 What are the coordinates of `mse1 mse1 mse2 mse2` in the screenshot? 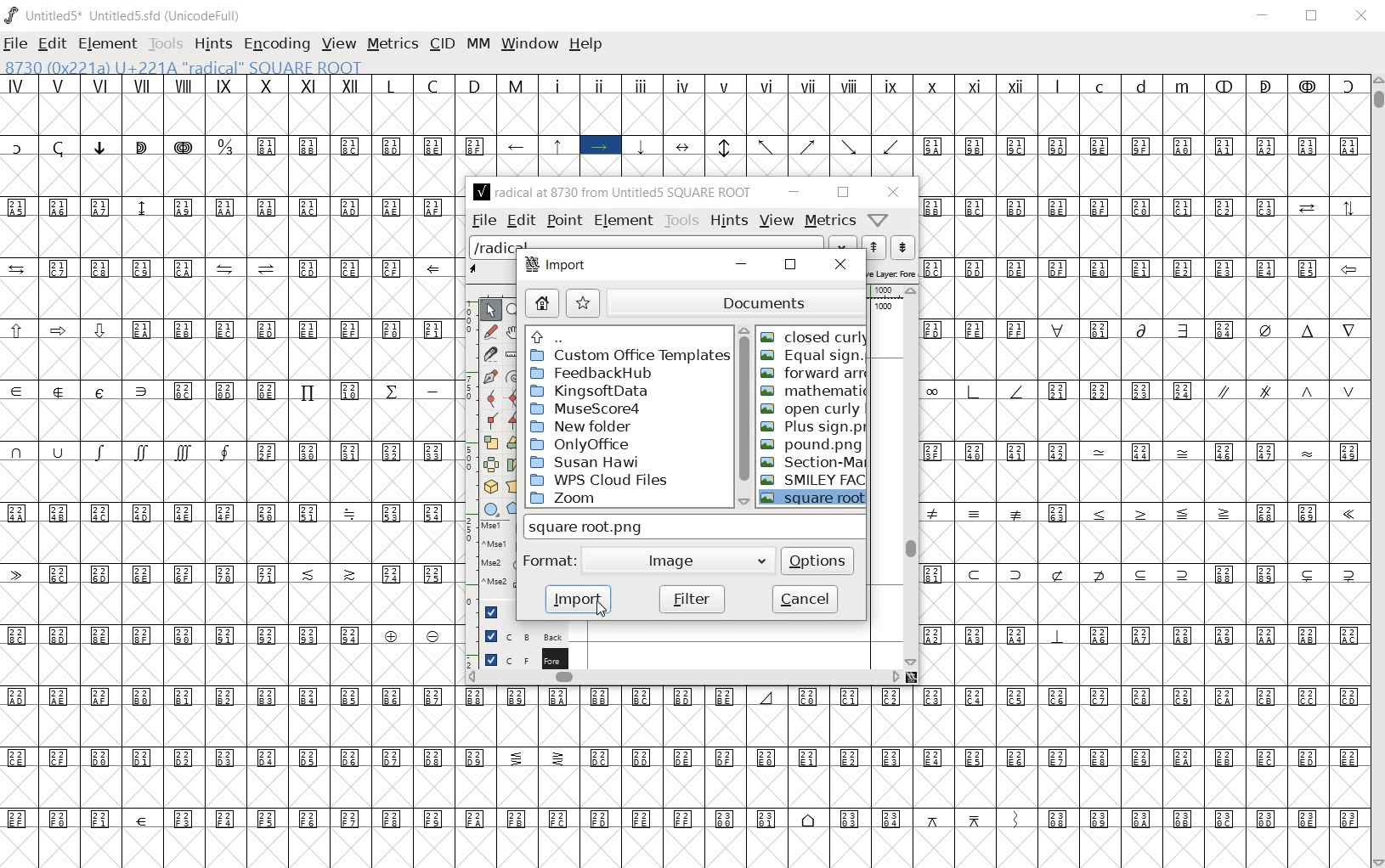 It's located at (489, 557).